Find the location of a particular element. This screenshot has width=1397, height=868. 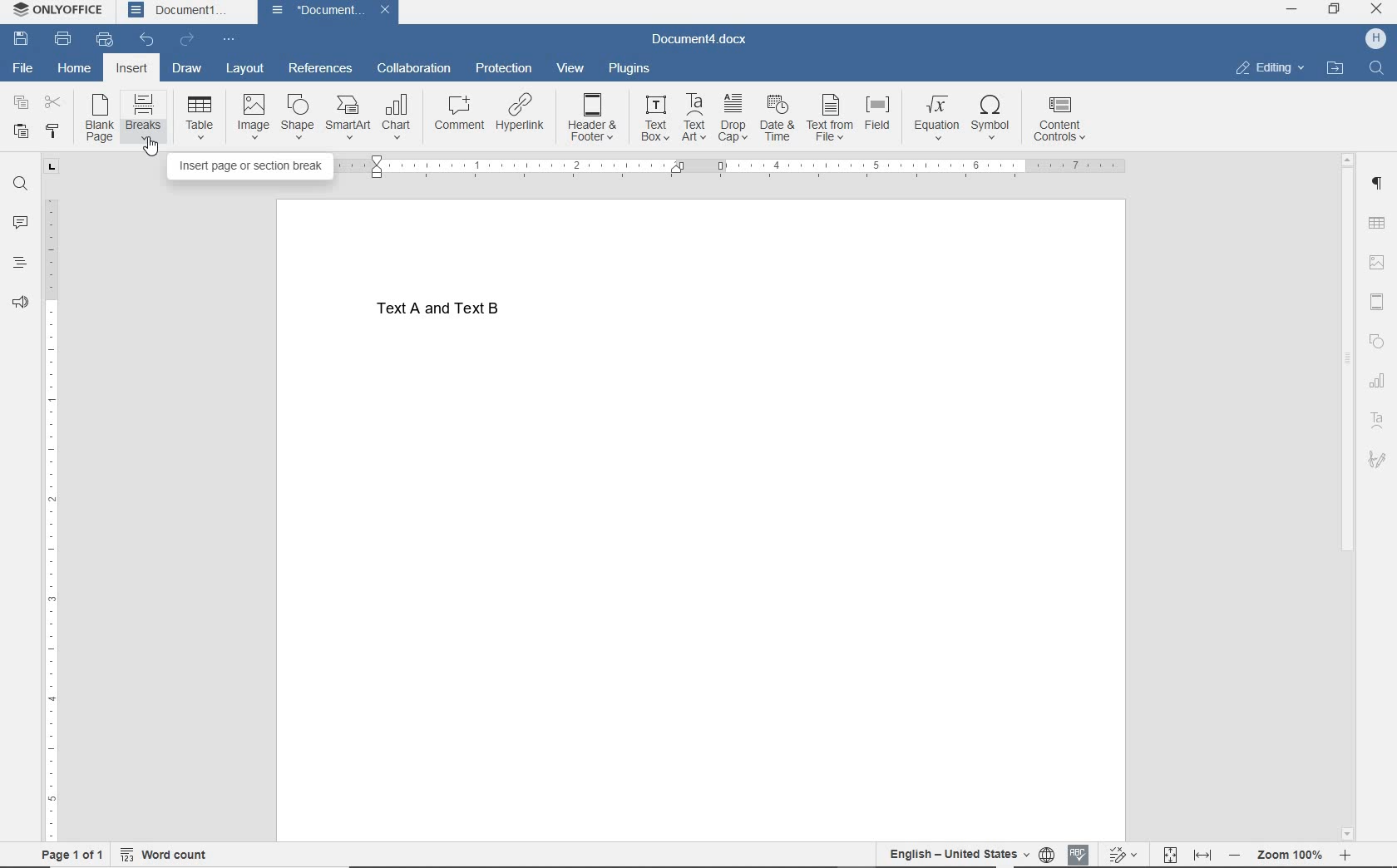

FIT TO WIDTH is located at coordinates (1204, 853).